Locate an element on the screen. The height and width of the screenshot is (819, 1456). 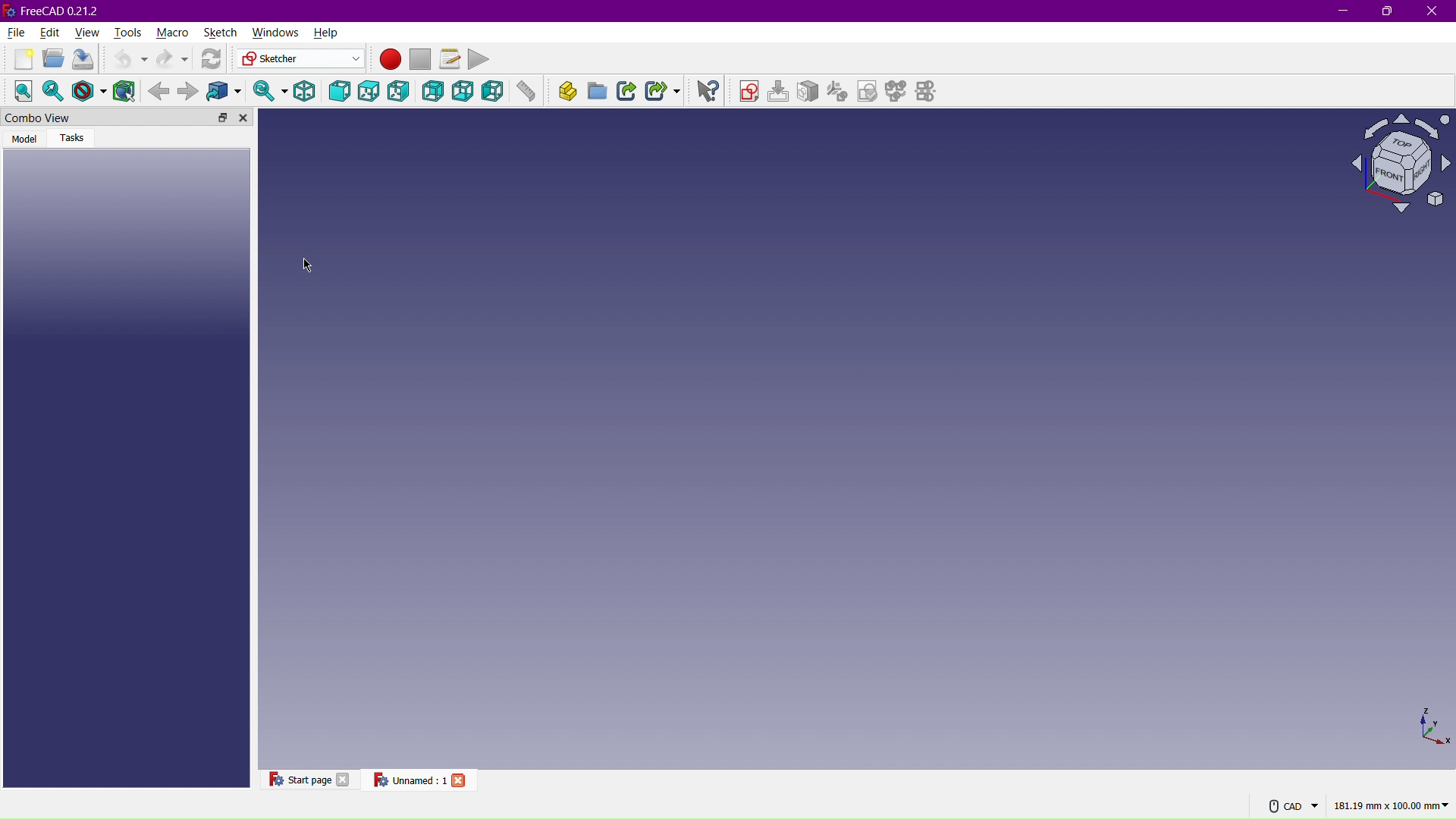
Sketcher is located at coordinates (300, 60).